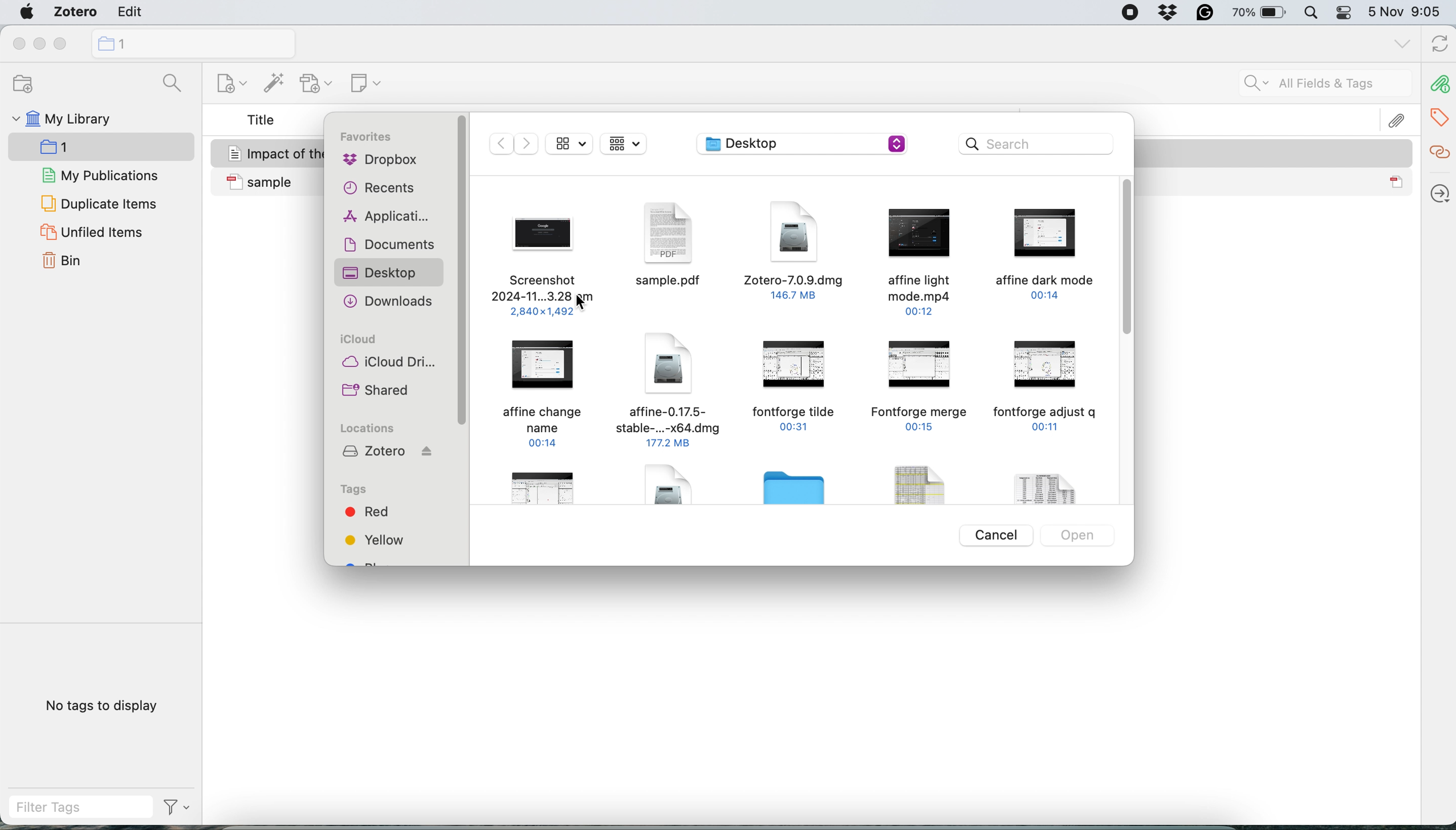  Describe the element at coordinates (1408, 13) in the screenshot. I see `5 Nov 9:05` at that location.